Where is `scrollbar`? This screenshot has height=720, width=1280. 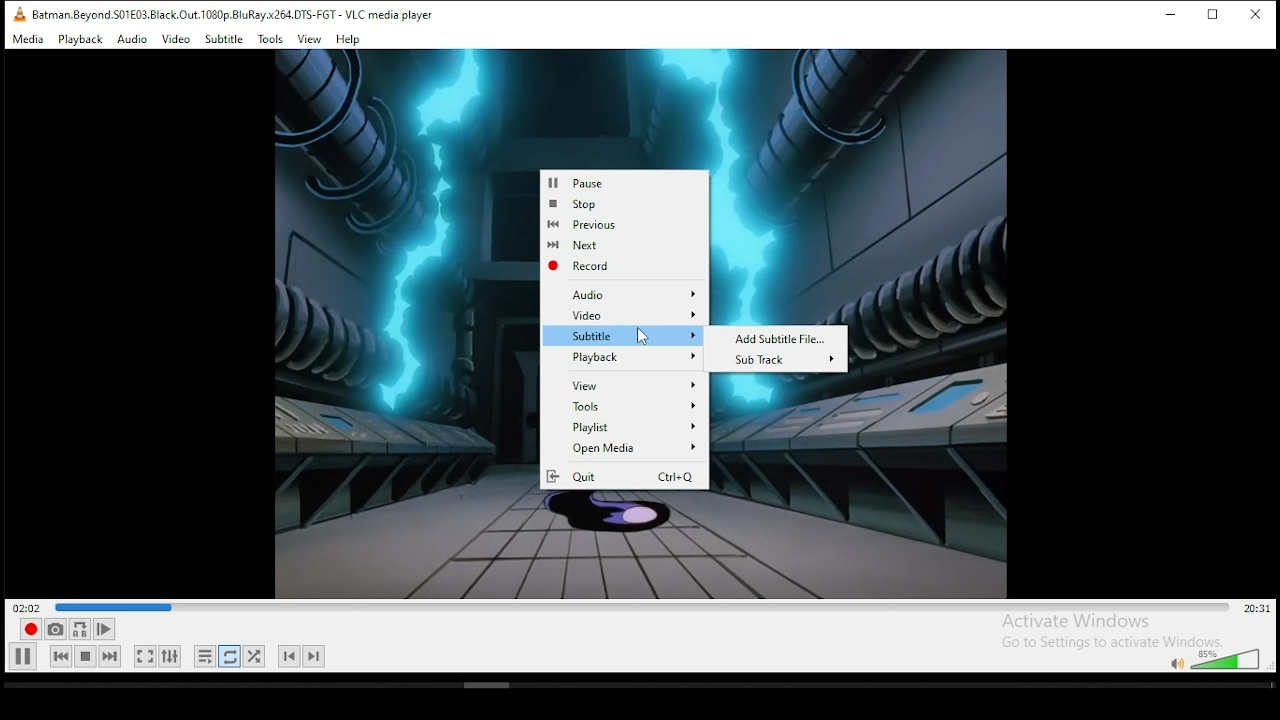
scrollbar is located at coordinates (637, 687).